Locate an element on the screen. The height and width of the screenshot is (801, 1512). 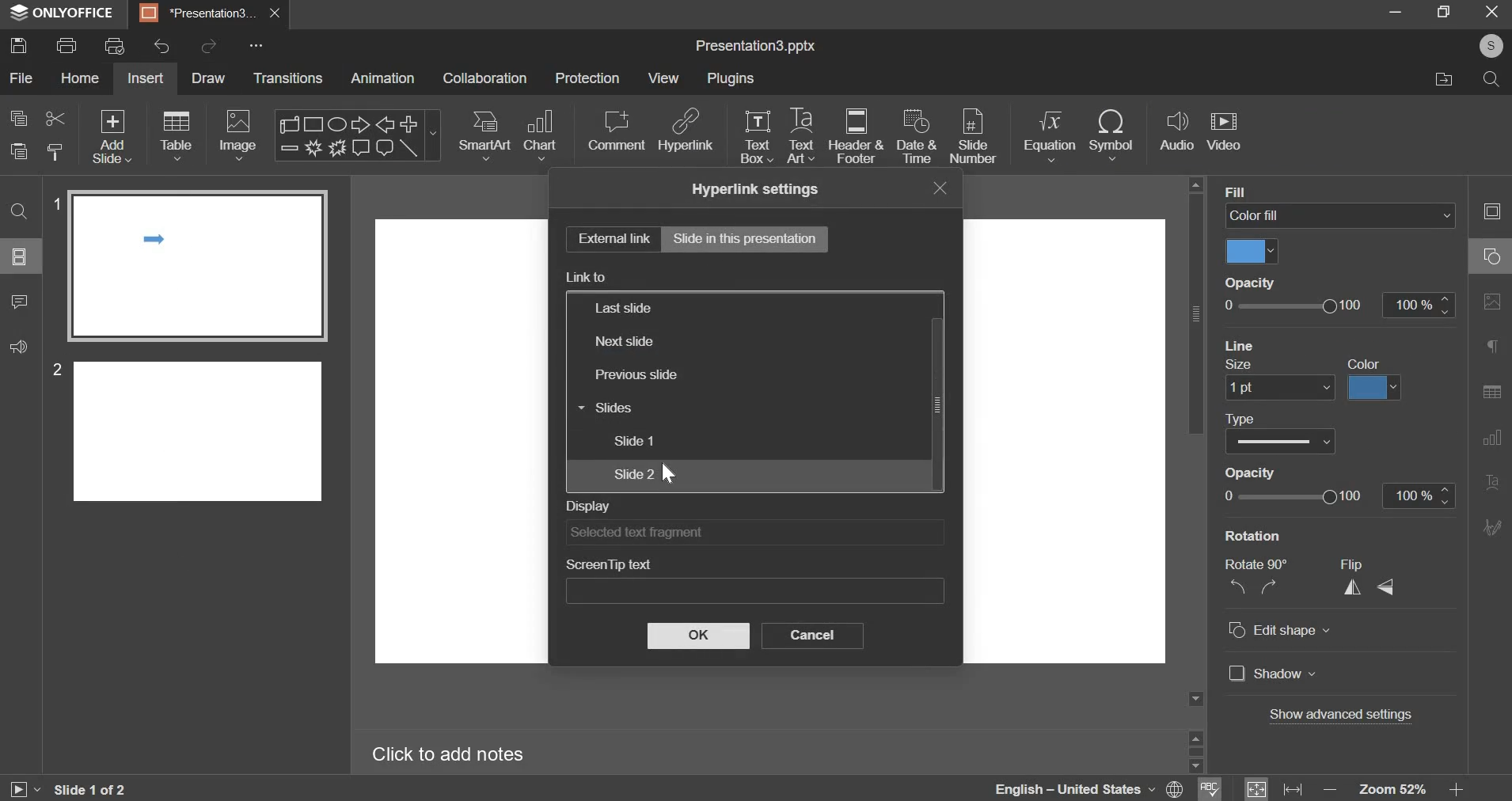
increase/decrease opacity is located at coordinates (1418, 305).